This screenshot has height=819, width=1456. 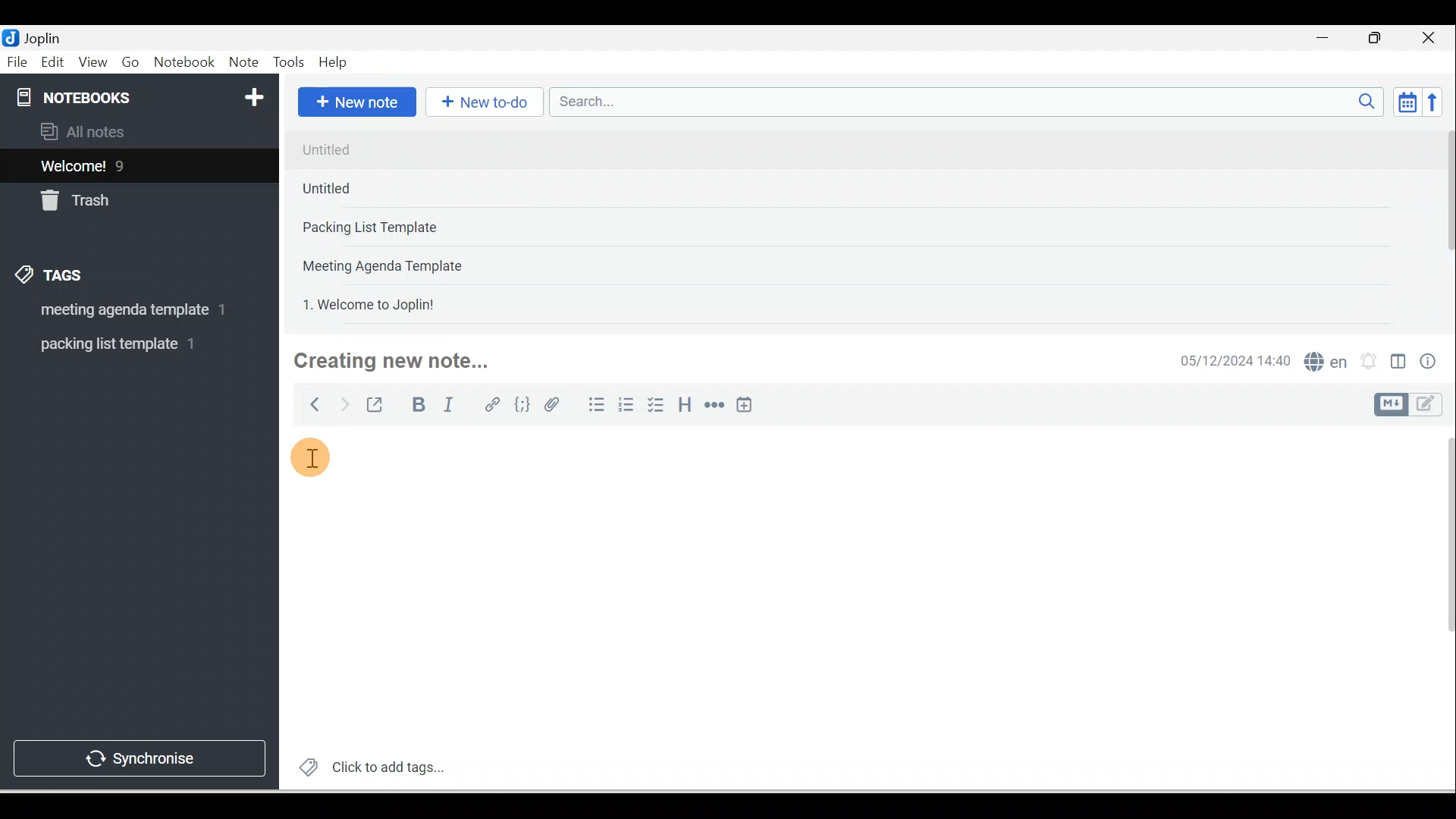 What do you see at coordinates (111, 196) in the screenshot?
I see `Trash` at bounding box center [111, 196].